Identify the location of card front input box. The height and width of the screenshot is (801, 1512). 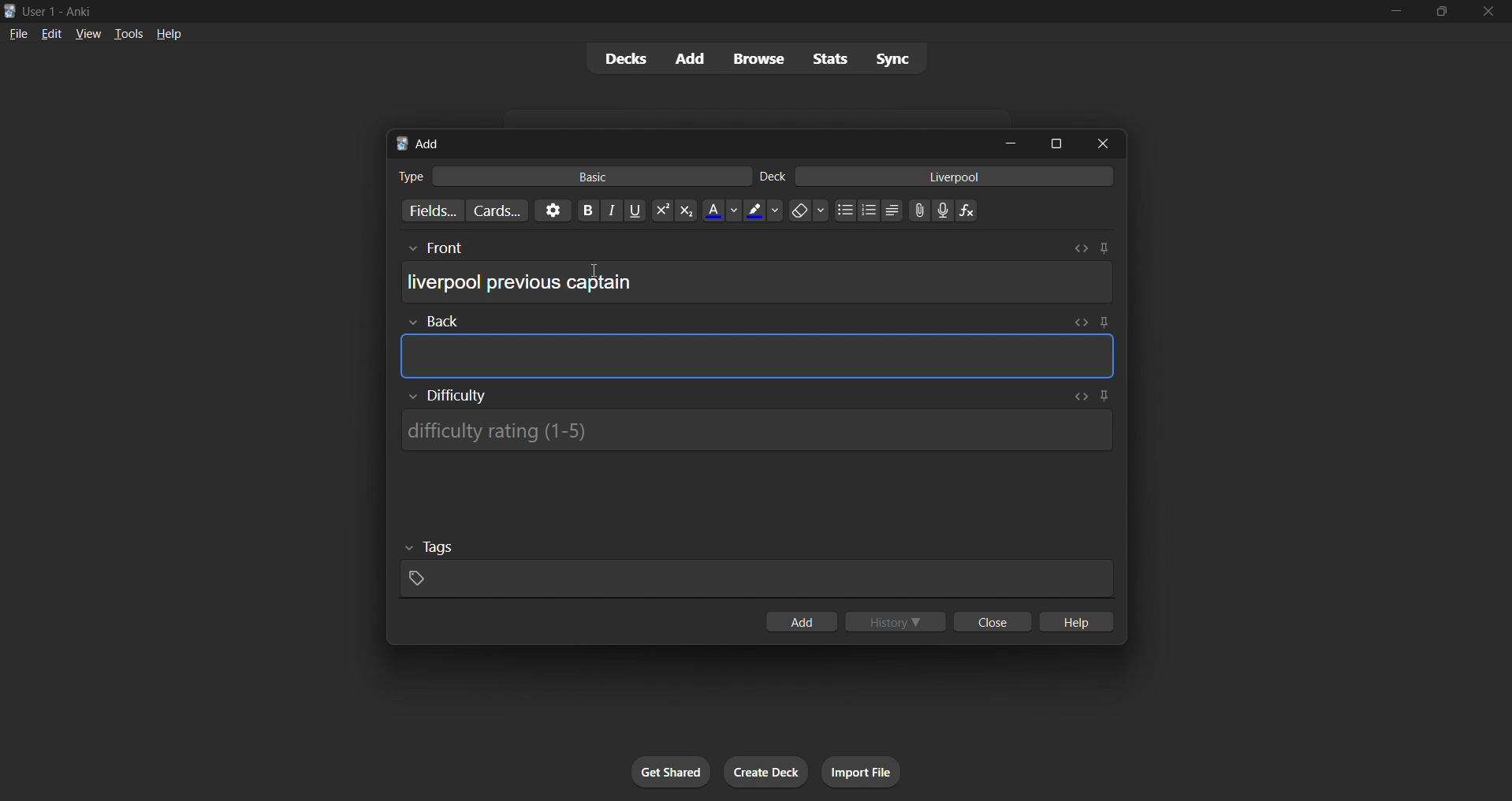
(757, 277).